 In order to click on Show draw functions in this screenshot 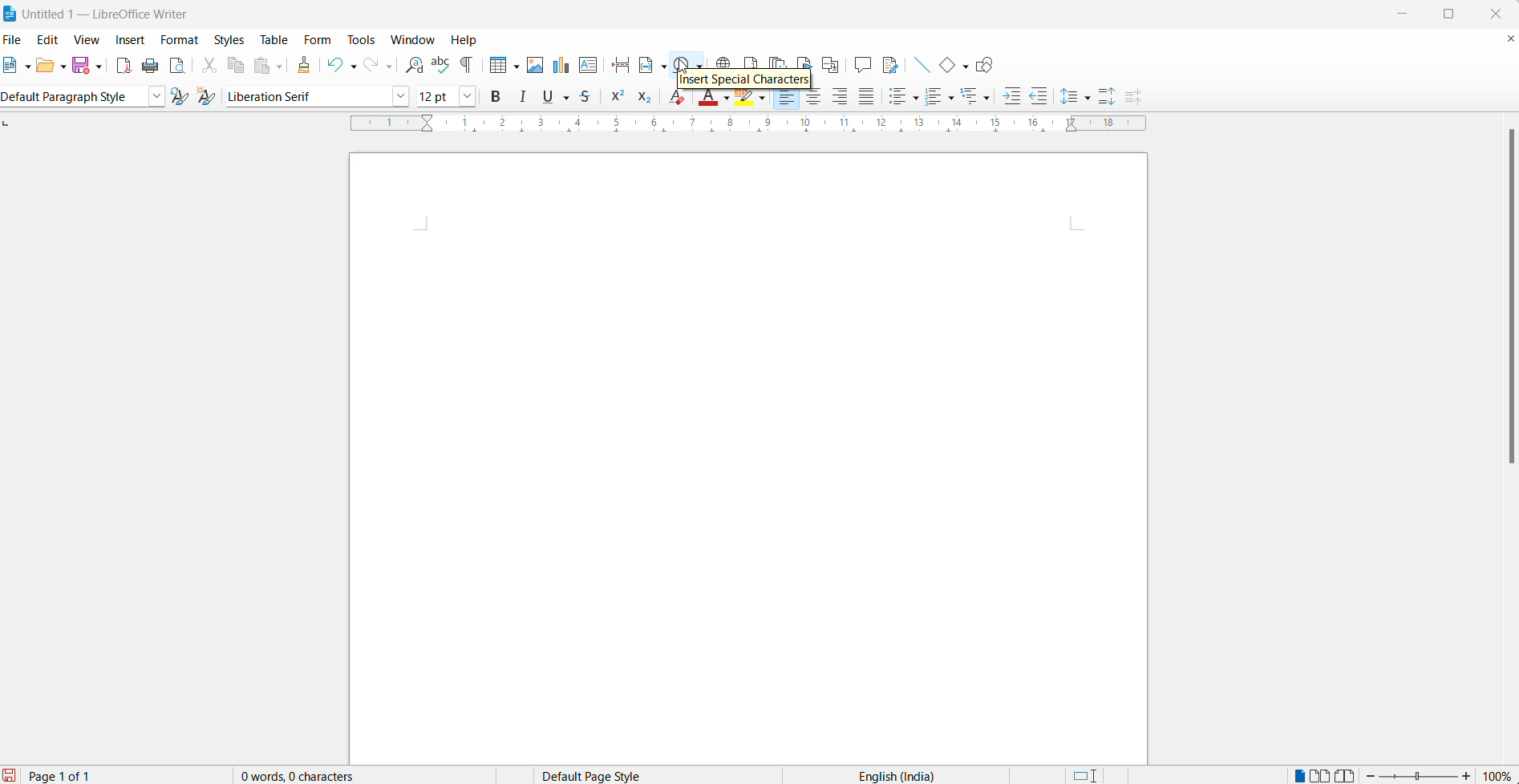, I will do `click(990, 66)`.